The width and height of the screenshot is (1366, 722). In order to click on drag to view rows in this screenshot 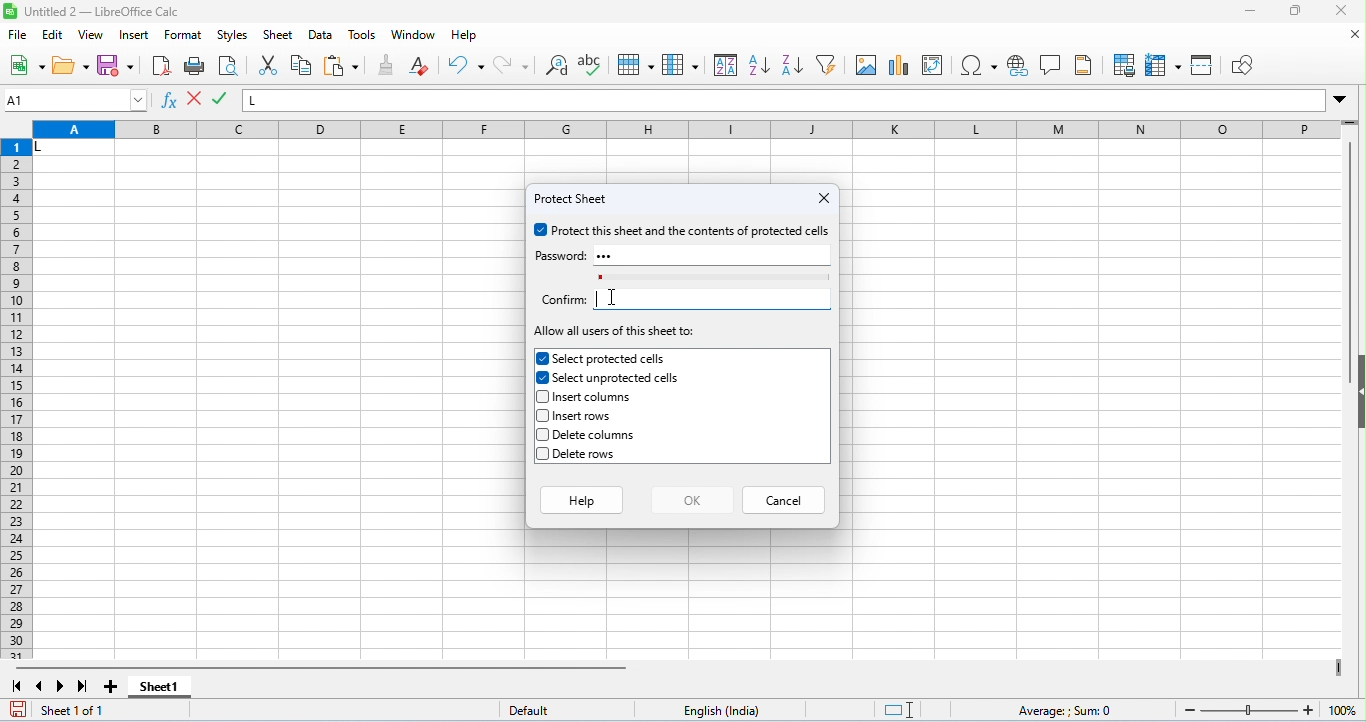, I will do `click(1350, 122)`.